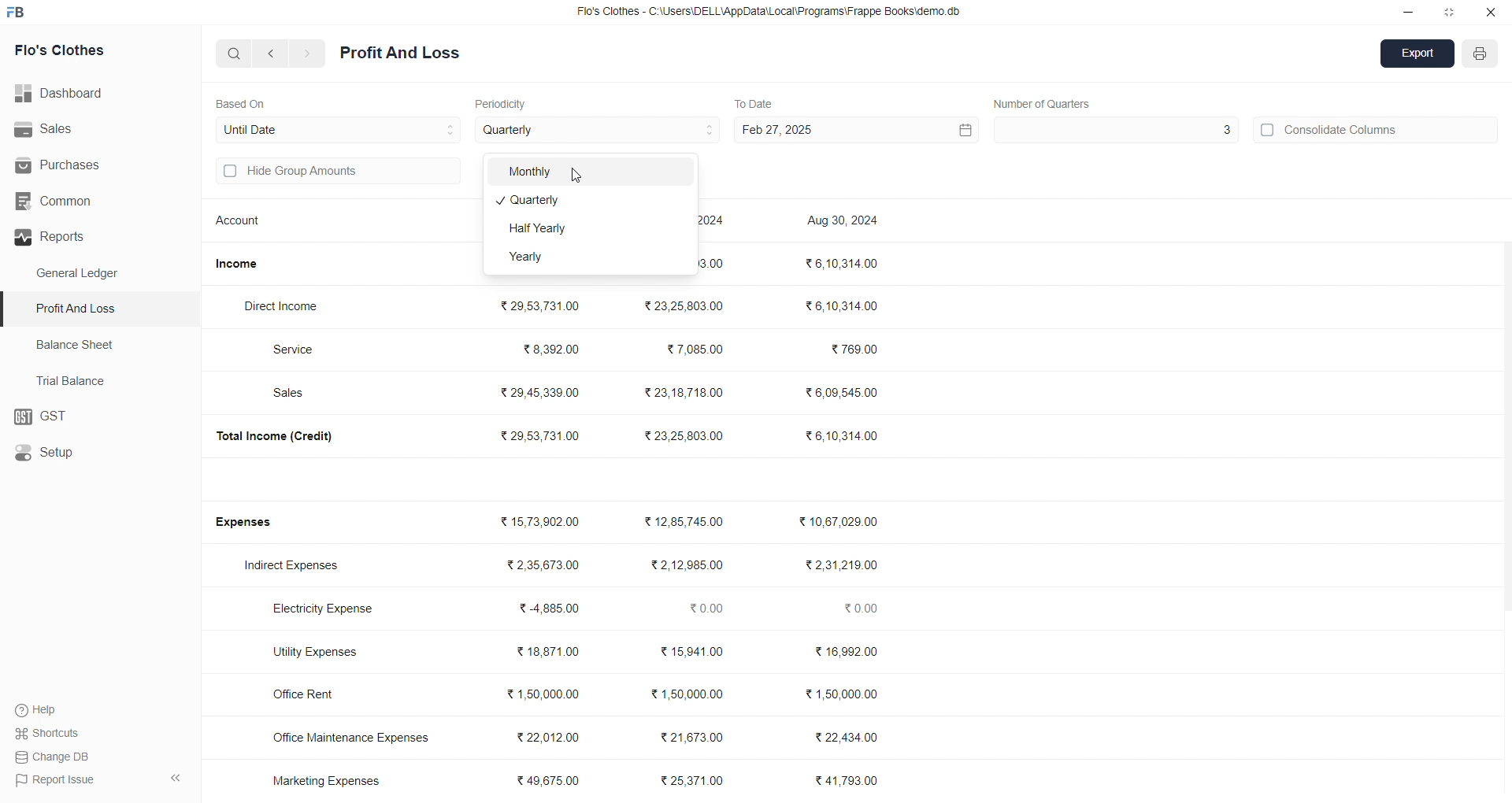  I want to click on General Ledger, so click(86, 274).